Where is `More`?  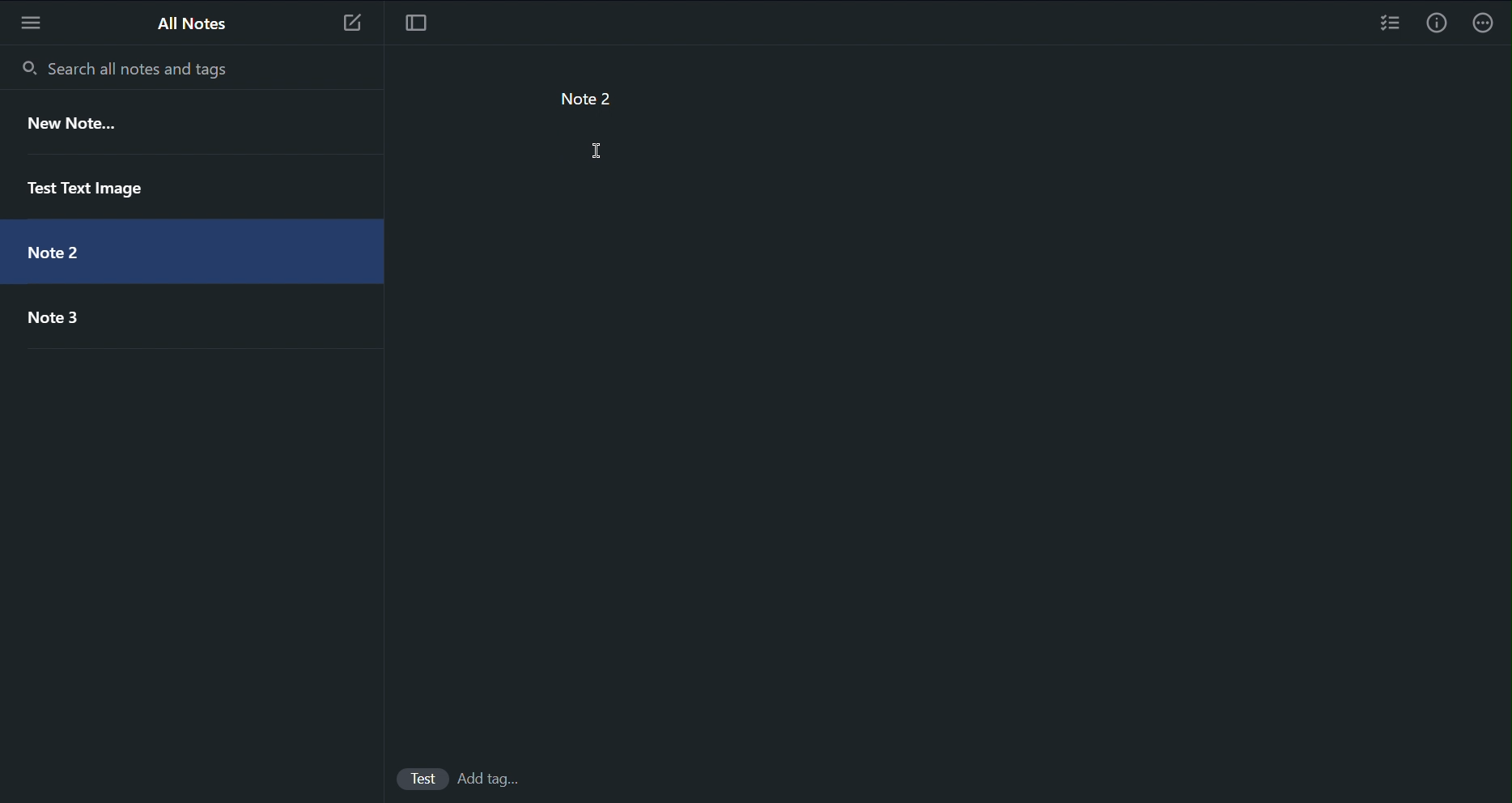 More is located at coordinates (29, 19).